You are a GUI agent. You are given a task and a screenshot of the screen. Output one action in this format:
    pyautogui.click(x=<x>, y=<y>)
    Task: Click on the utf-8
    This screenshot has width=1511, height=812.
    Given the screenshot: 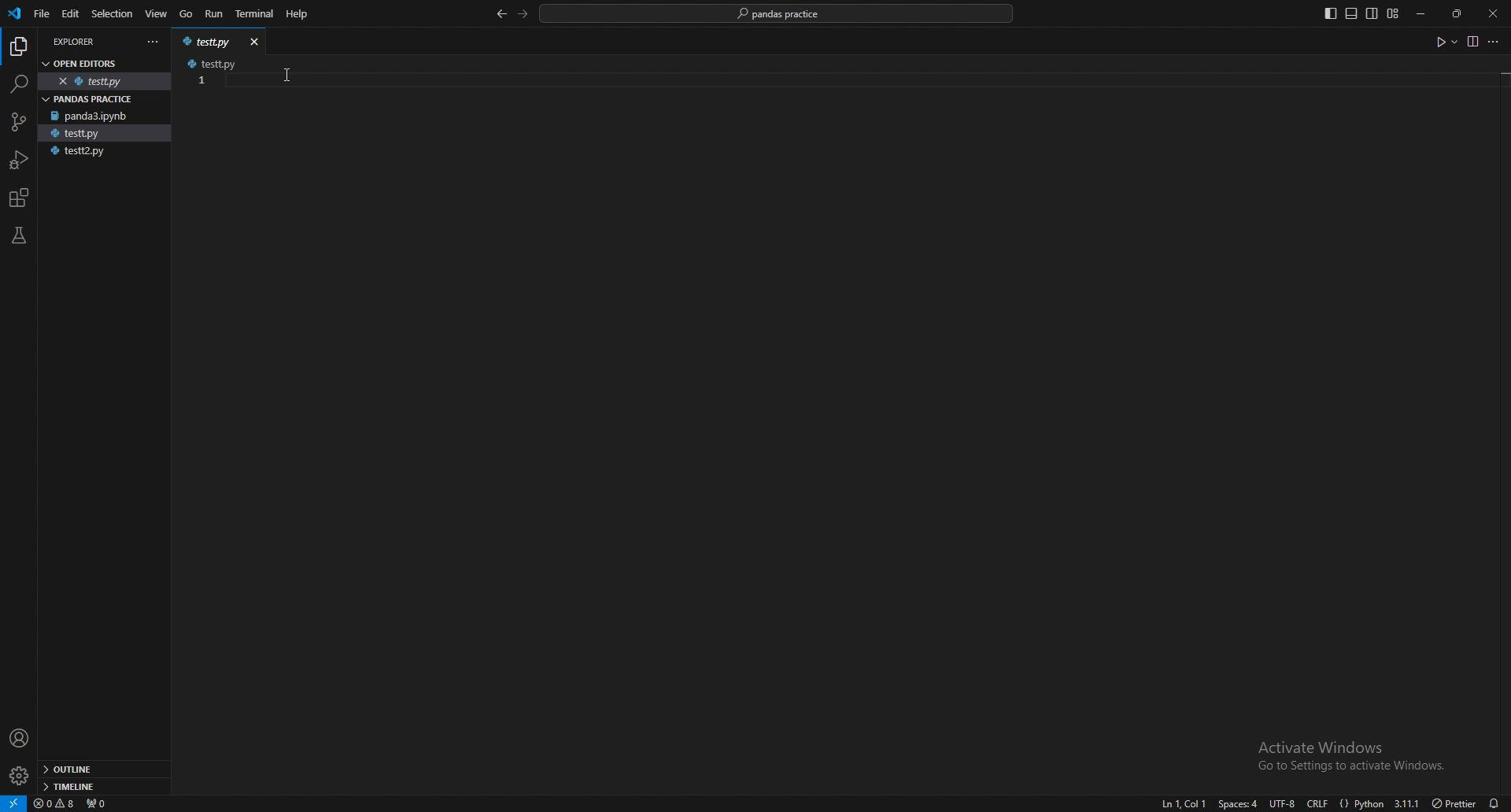 What is the action you would take?
    pyautogui.click(x=1280, y=803)
    